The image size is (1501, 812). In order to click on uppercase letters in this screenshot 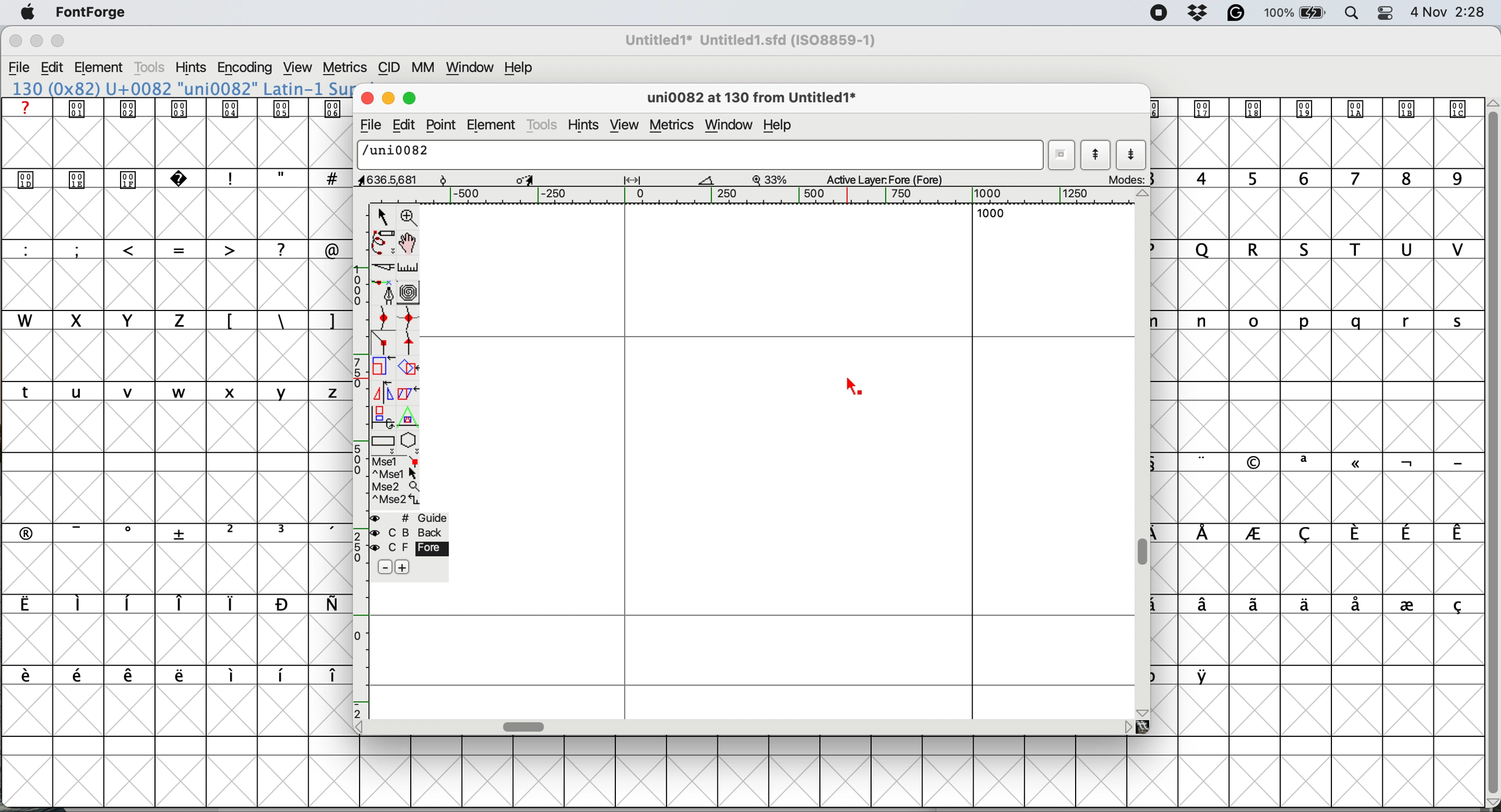, I will do `click(1325, 249)`.